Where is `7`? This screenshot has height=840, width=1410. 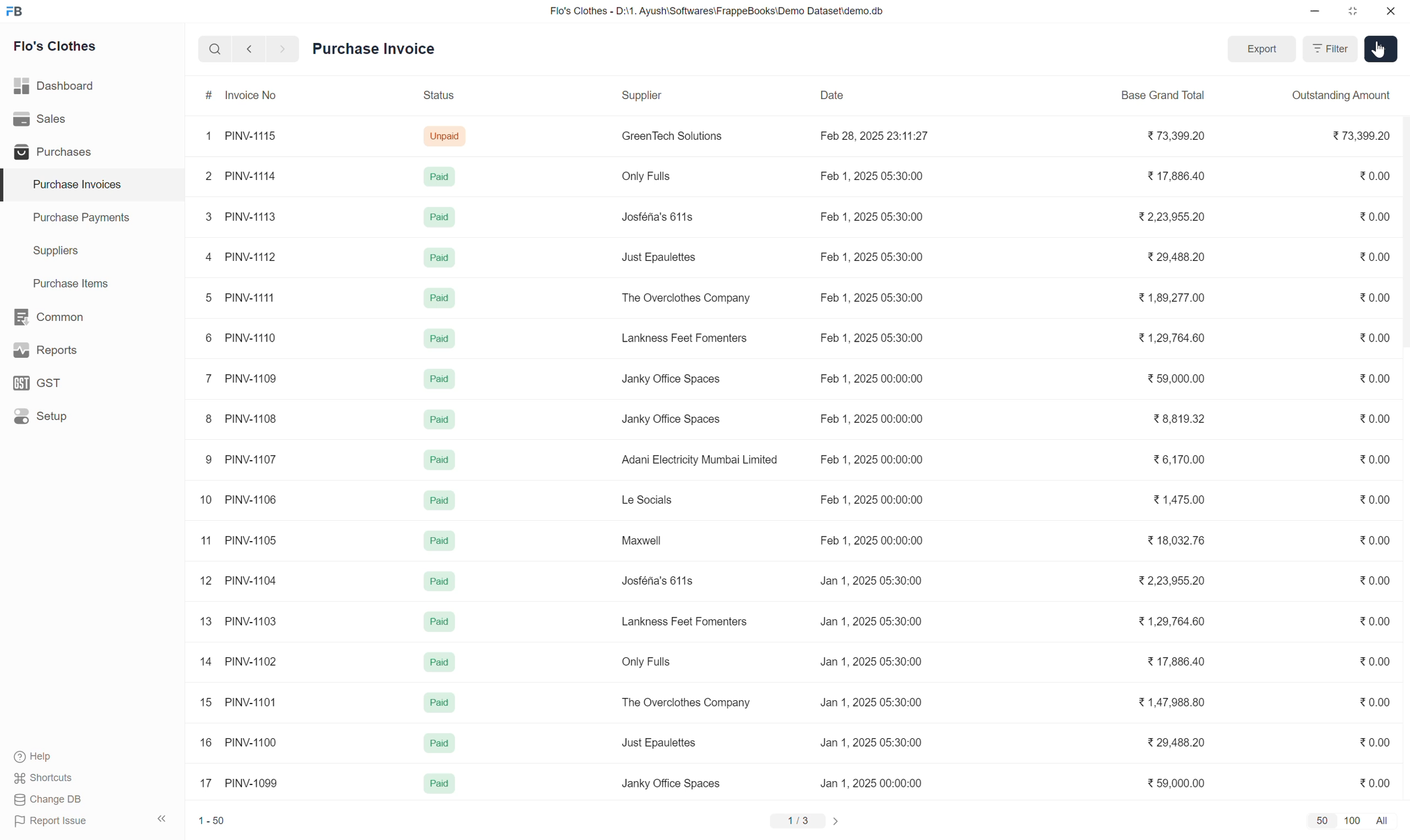 7 is located at coordinates (204, 379).